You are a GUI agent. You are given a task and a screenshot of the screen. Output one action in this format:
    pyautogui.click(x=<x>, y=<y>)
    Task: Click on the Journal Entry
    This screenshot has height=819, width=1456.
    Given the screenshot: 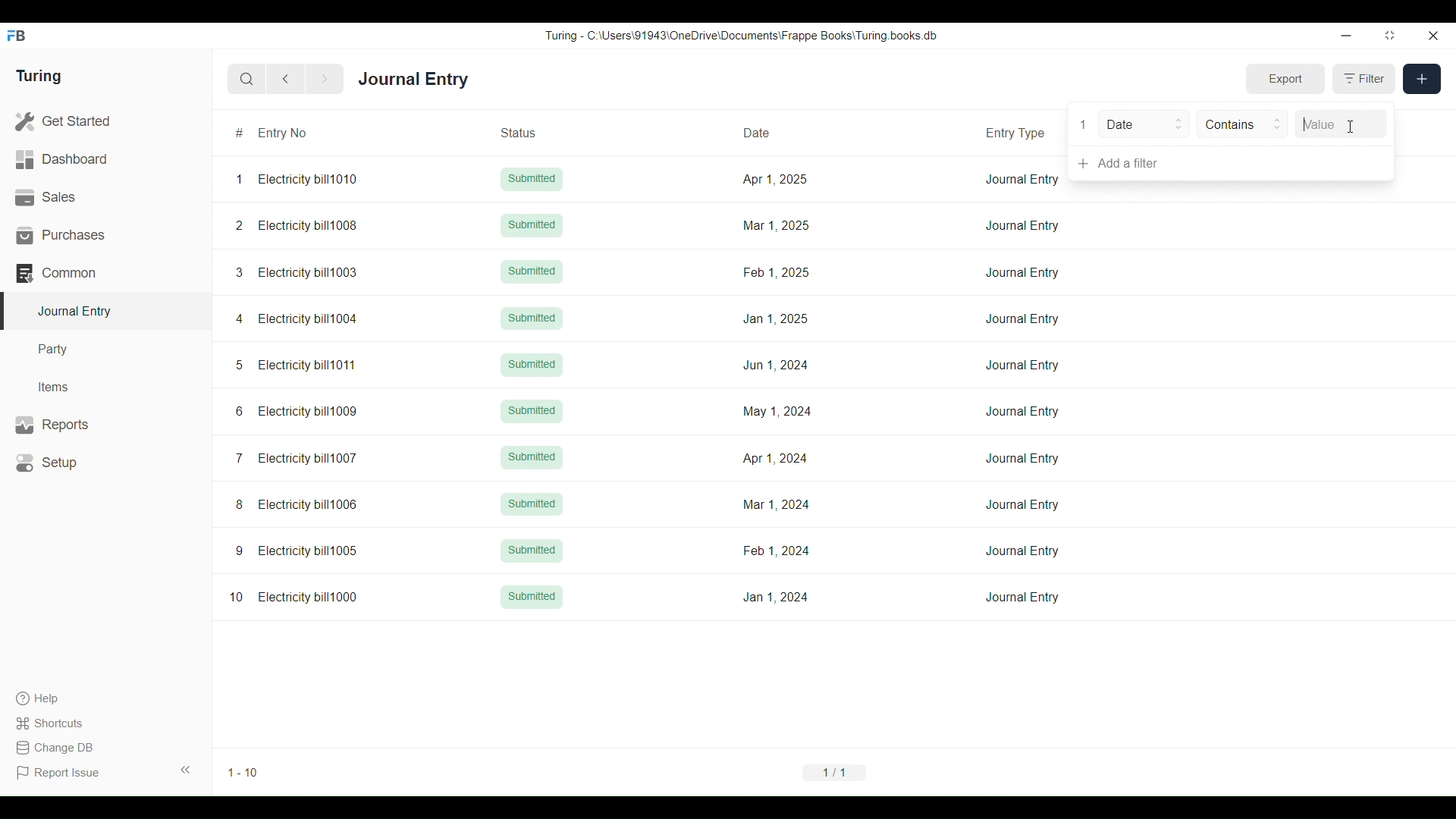 What is the action you would take?
    pyautogui.click(x=1023, y=412)
    